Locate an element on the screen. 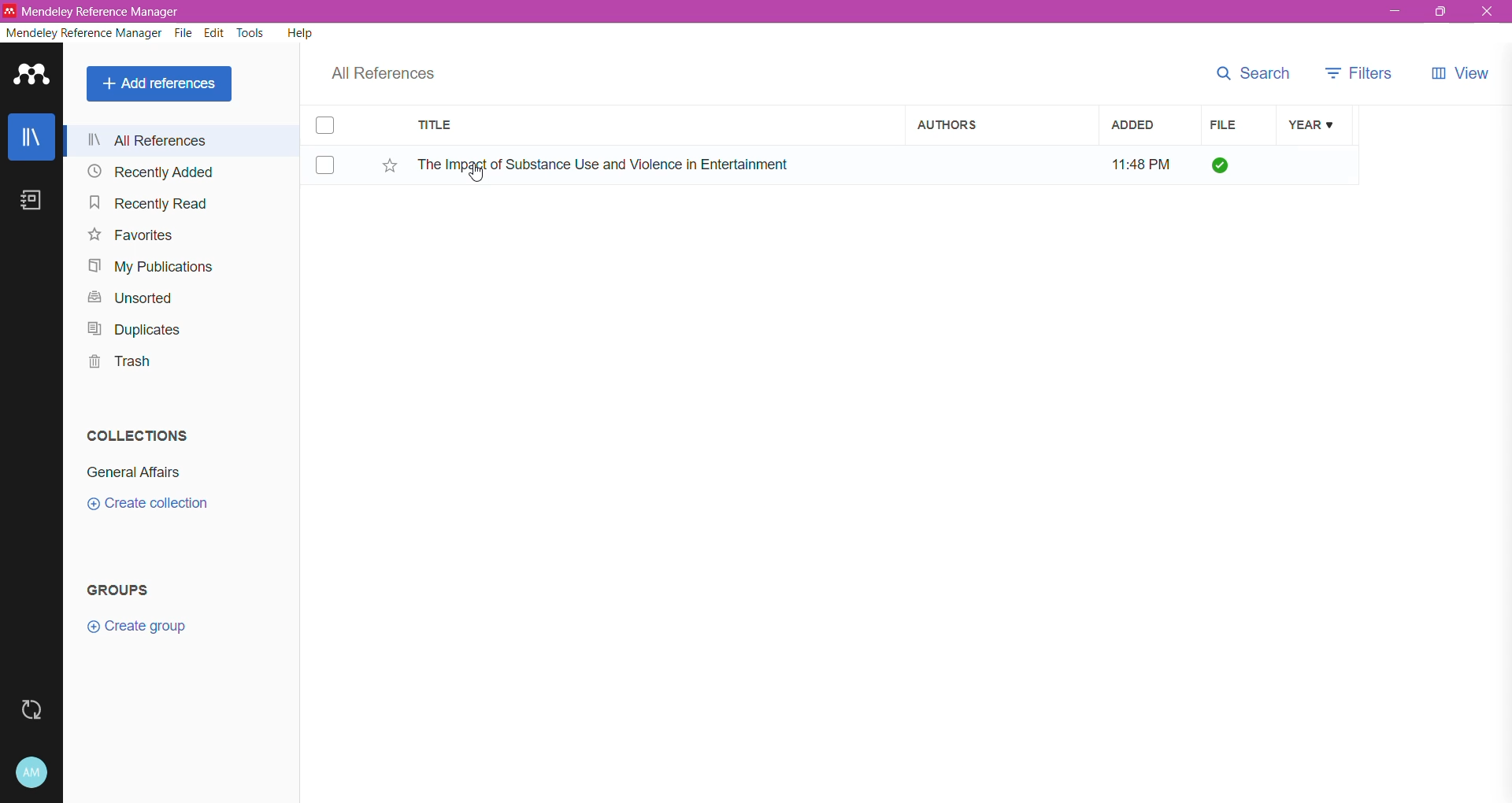 The image size is (1512, 803). Close is located at coordinates (1487, 12).